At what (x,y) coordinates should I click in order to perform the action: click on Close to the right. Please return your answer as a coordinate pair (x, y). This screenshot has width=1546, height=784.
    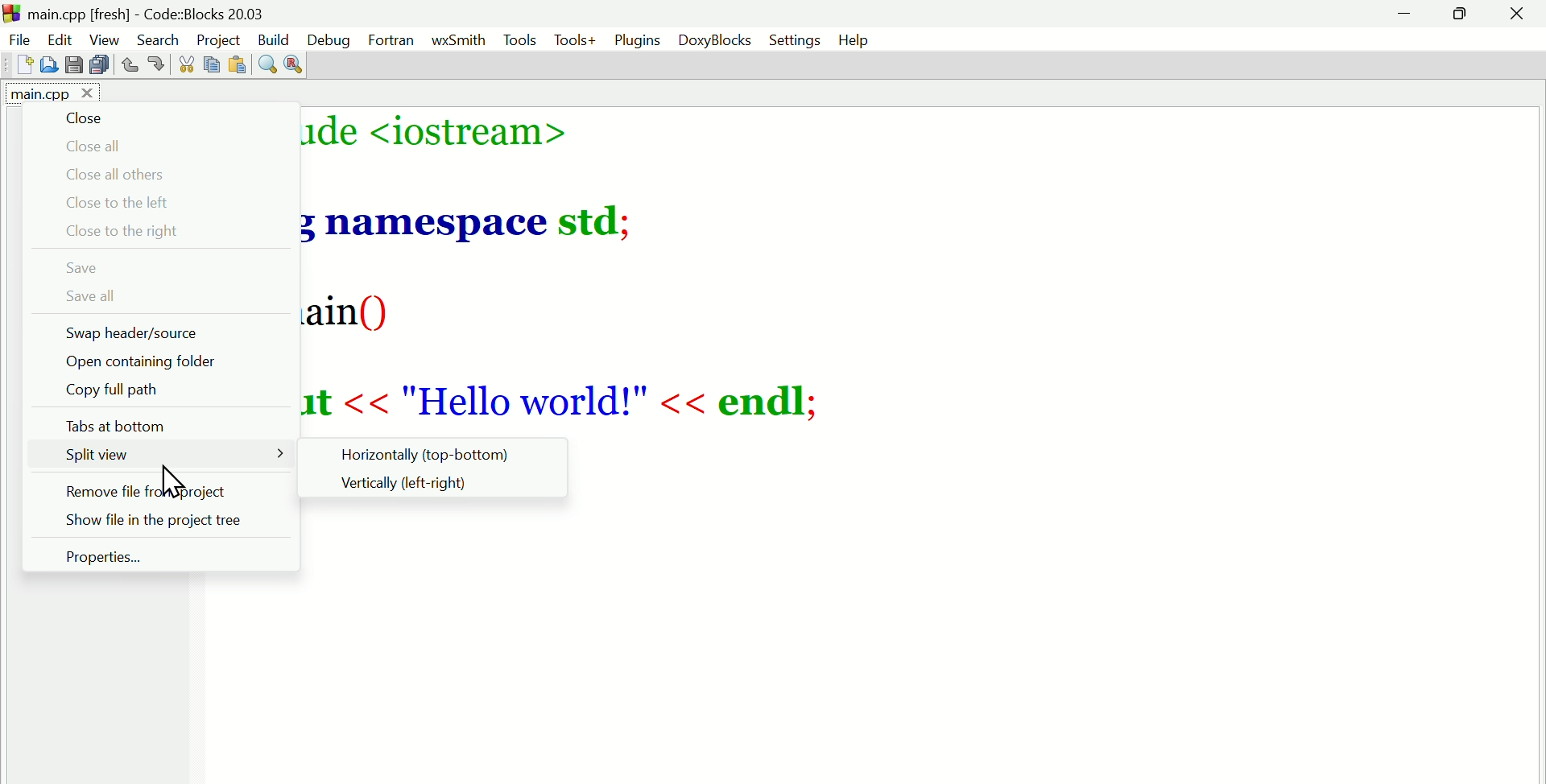
    Looking at the image, I should click on (126, 232).